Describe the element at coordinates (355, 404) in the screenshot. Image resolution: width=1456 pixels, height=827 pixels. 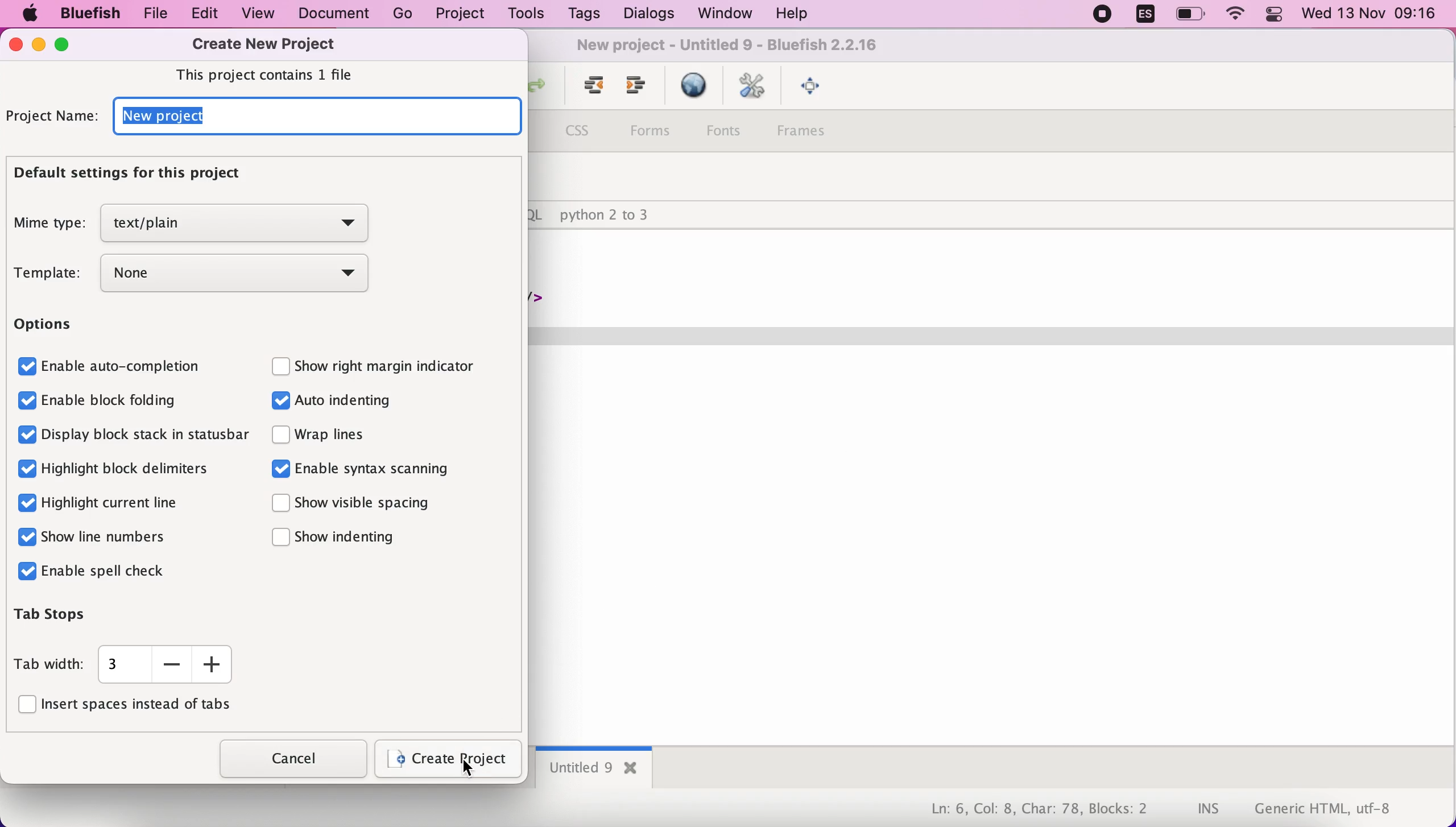
I see `Auto indenting checkbox` at that location.